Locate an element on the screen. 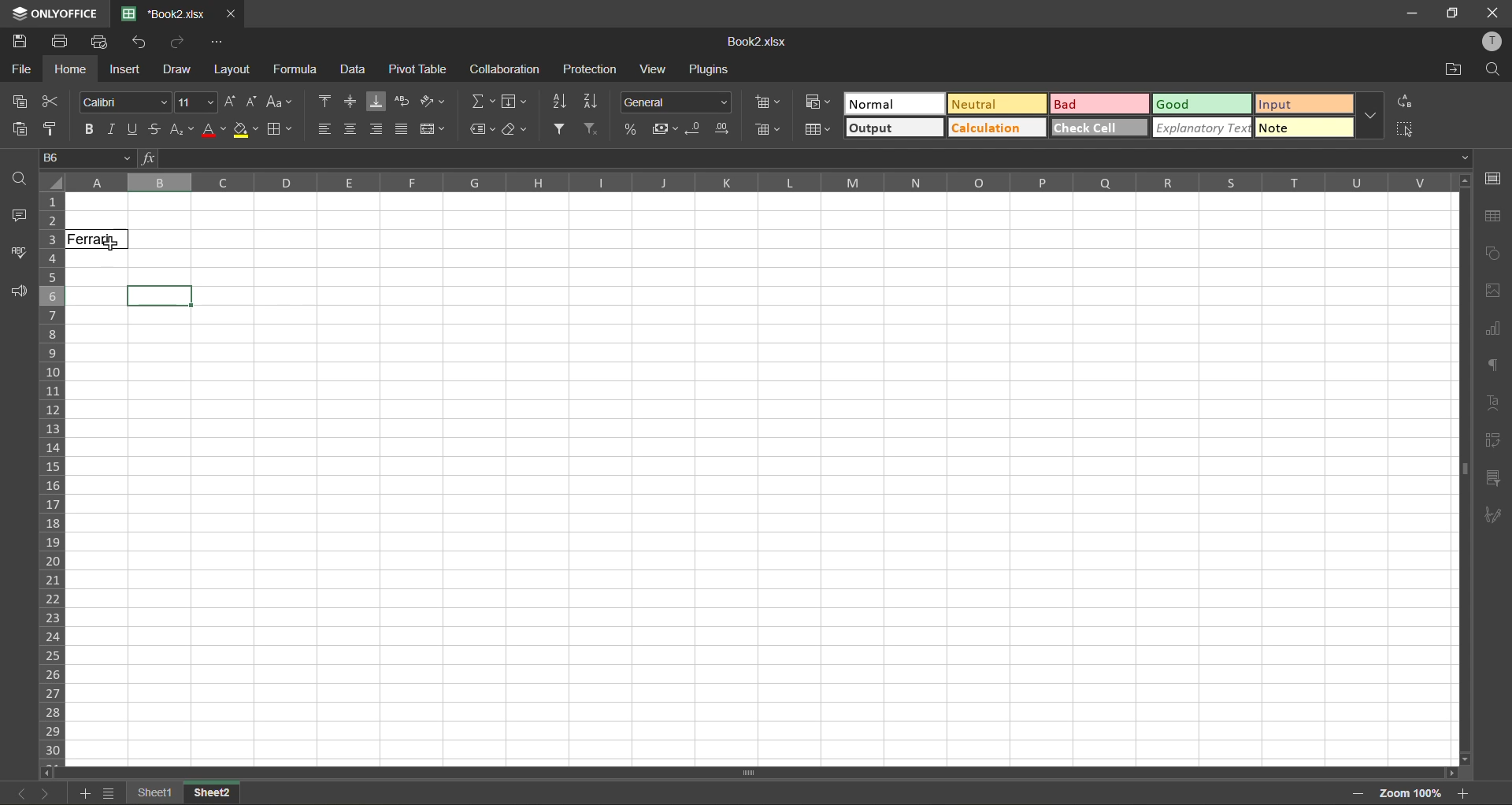  merge and center is located at coordinates (432, 128).